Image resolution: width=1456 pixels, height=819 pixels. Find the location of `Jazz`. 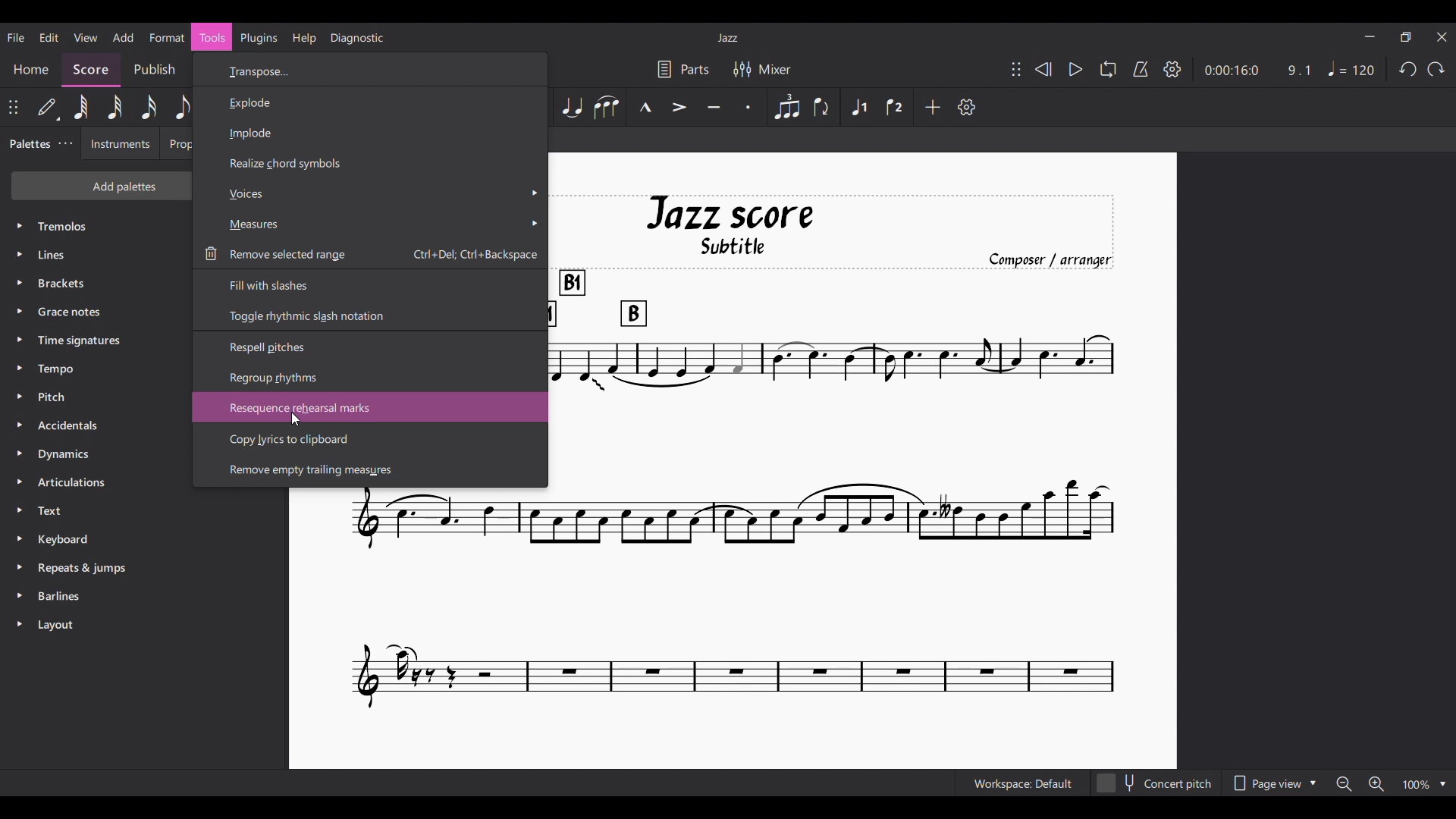

Jazz is located at coordinates (728, 37).